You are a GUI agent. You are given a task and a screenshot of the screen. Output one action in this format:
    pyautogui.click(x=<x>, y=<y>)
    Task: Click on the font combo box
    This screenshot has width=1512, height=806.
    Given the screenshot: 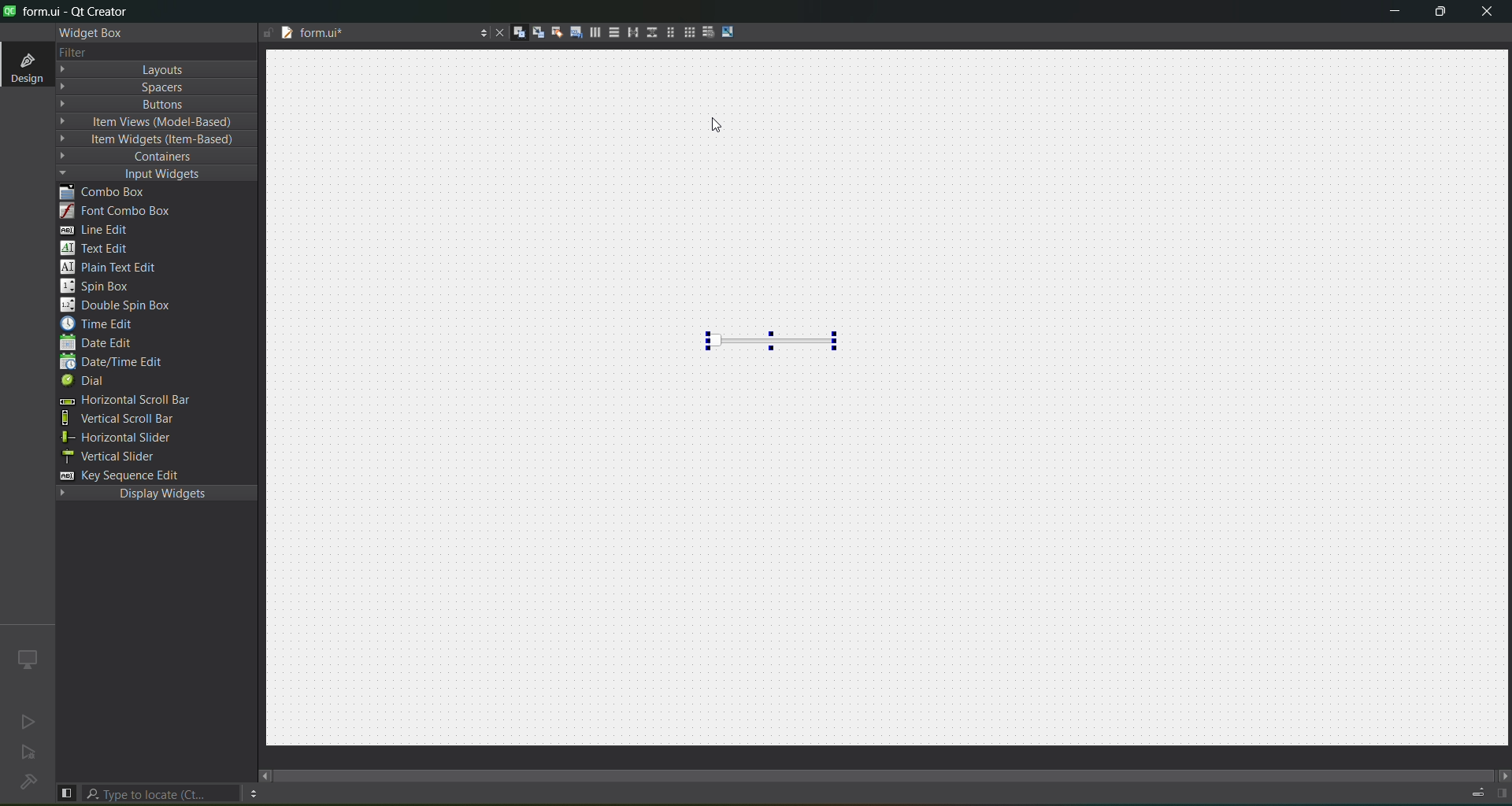 What is the action you would take?
    pyautogui.click(x=116, y=210)
    